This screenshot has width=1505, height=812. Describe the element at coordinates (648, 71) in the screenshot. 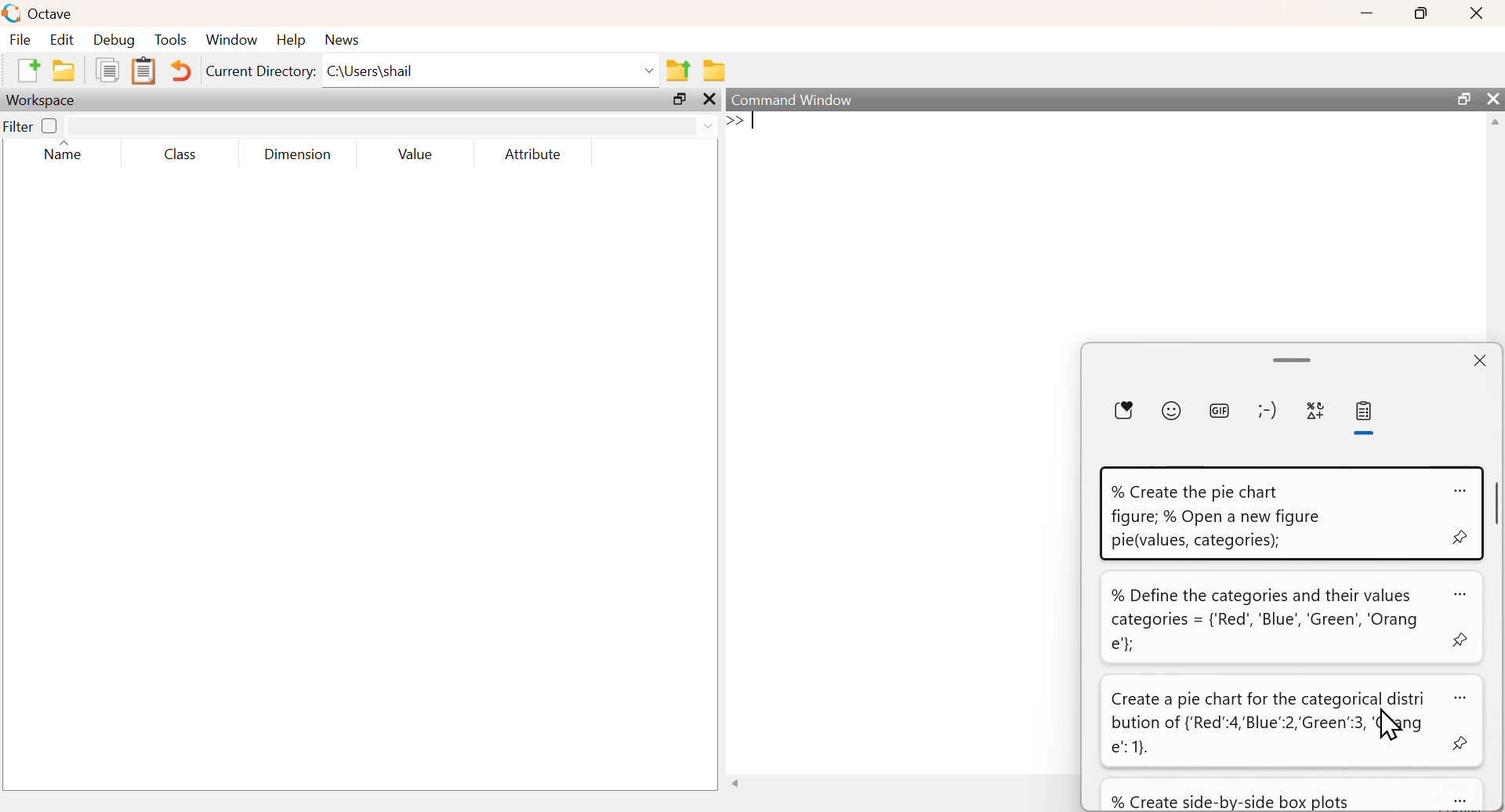

I see `dropdown` at that location.